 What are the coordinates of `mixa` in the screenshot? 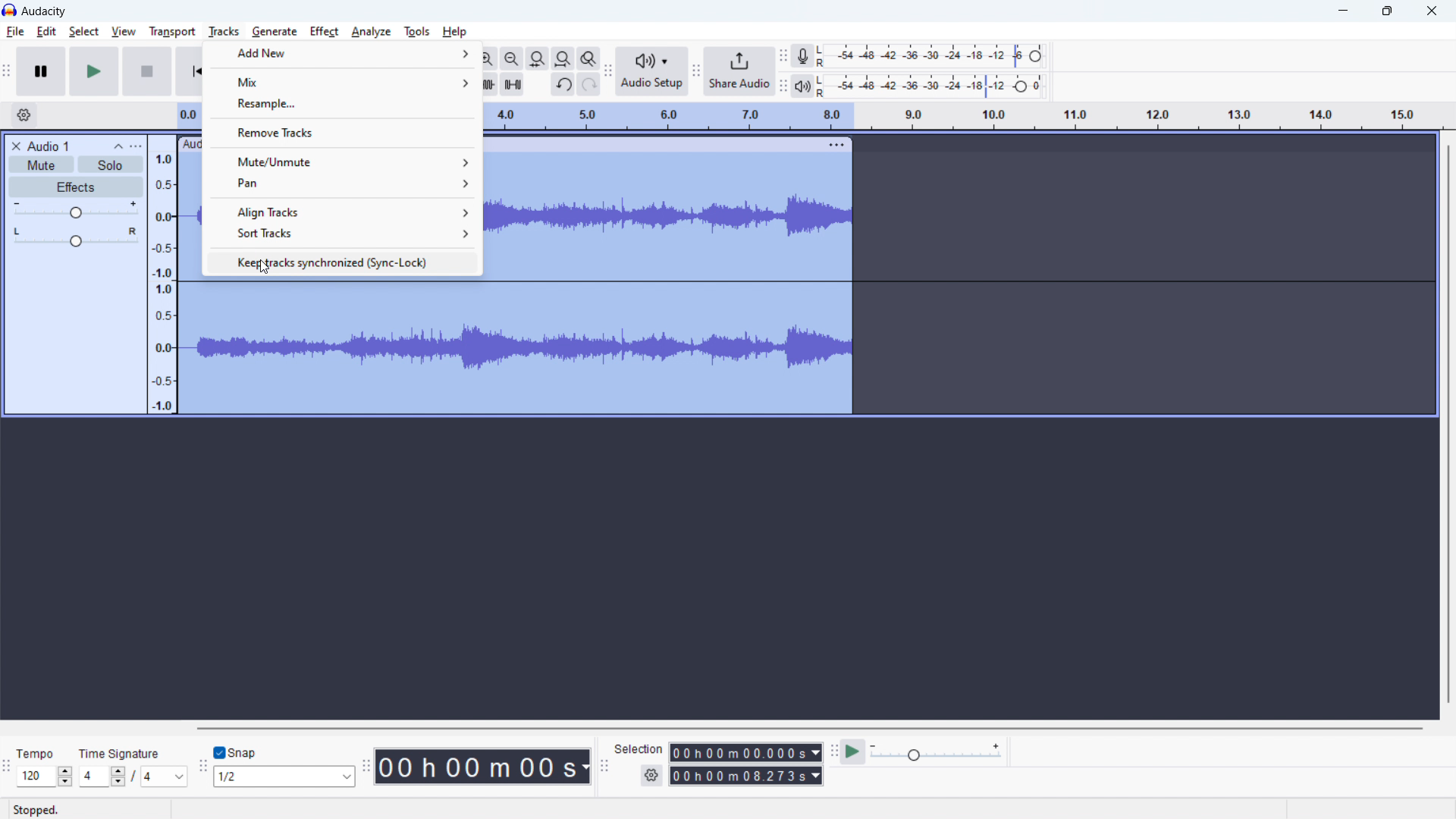 It's located at (341, 81).